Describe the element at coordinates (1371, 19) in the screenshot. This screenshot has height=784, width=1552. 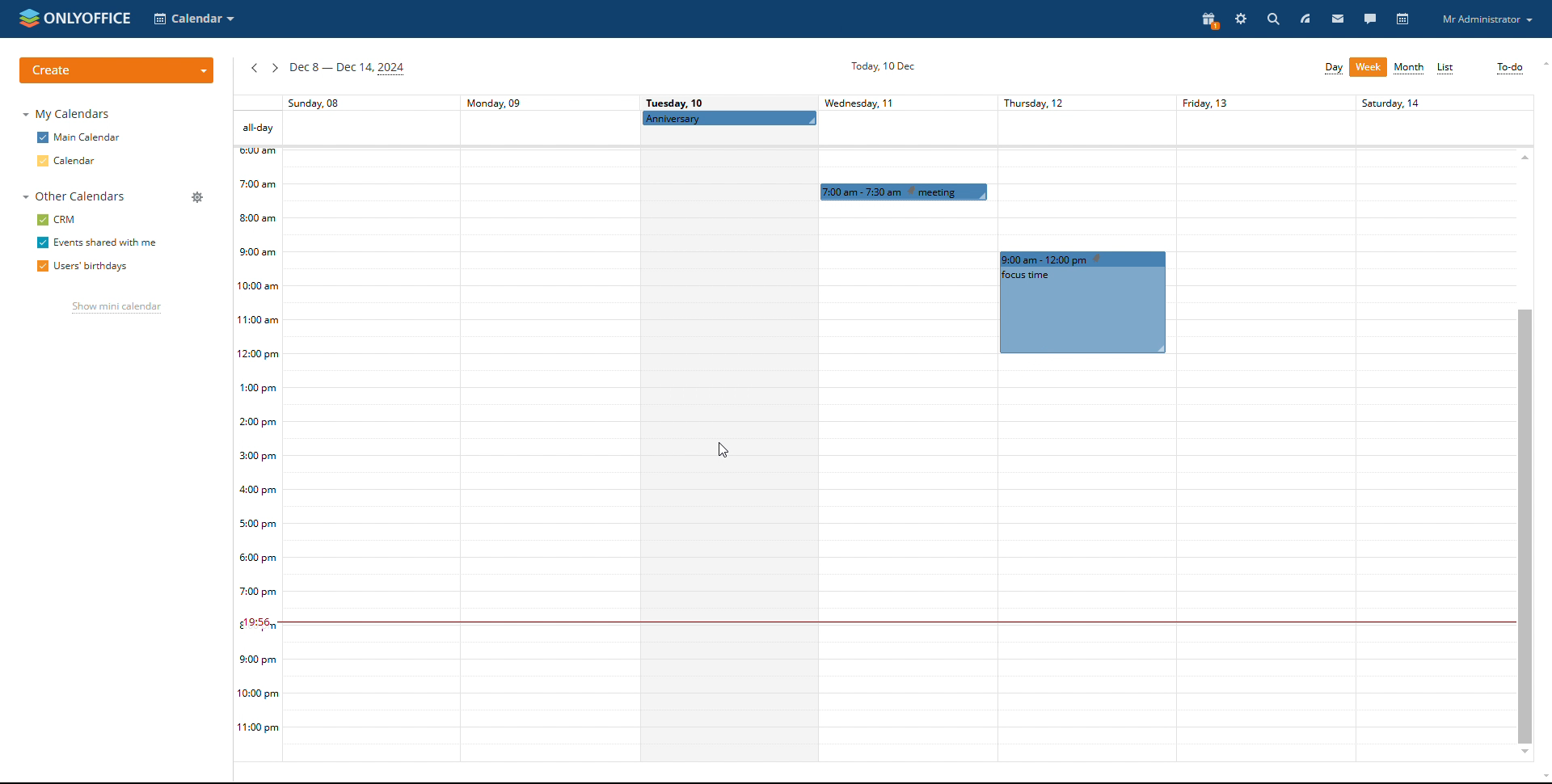
I see `talk` at that location.